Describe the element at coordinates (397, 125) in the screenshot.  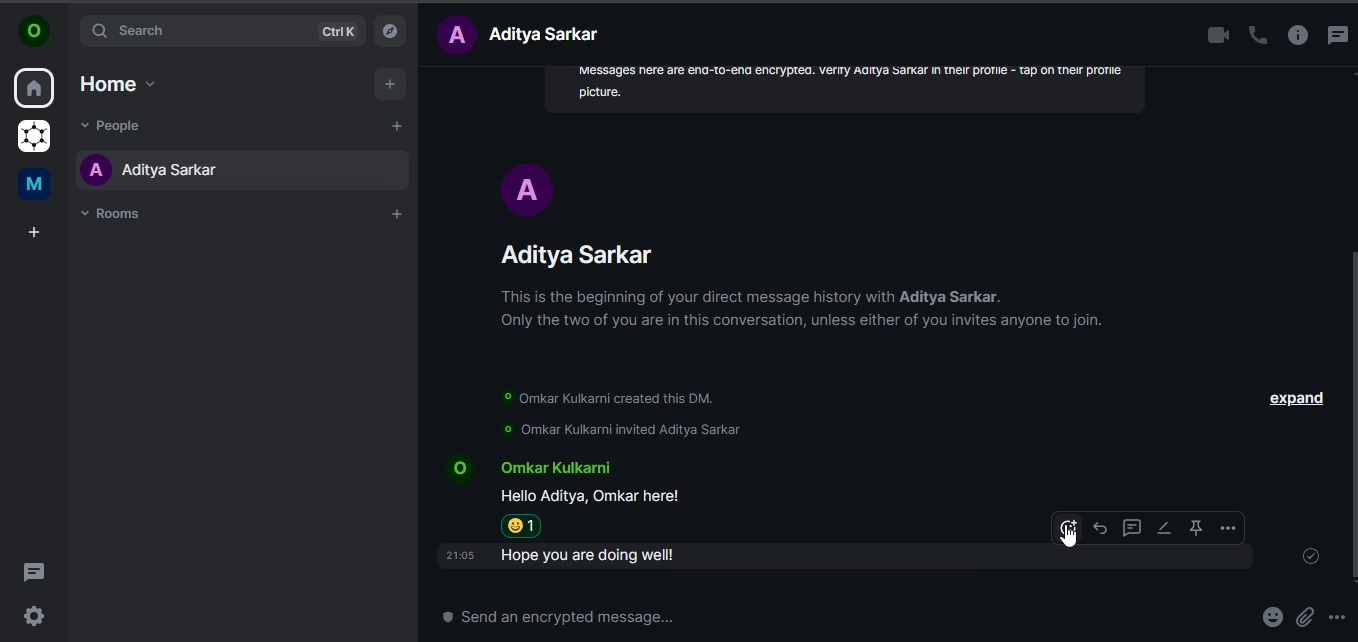
I see `start chat` at that location.